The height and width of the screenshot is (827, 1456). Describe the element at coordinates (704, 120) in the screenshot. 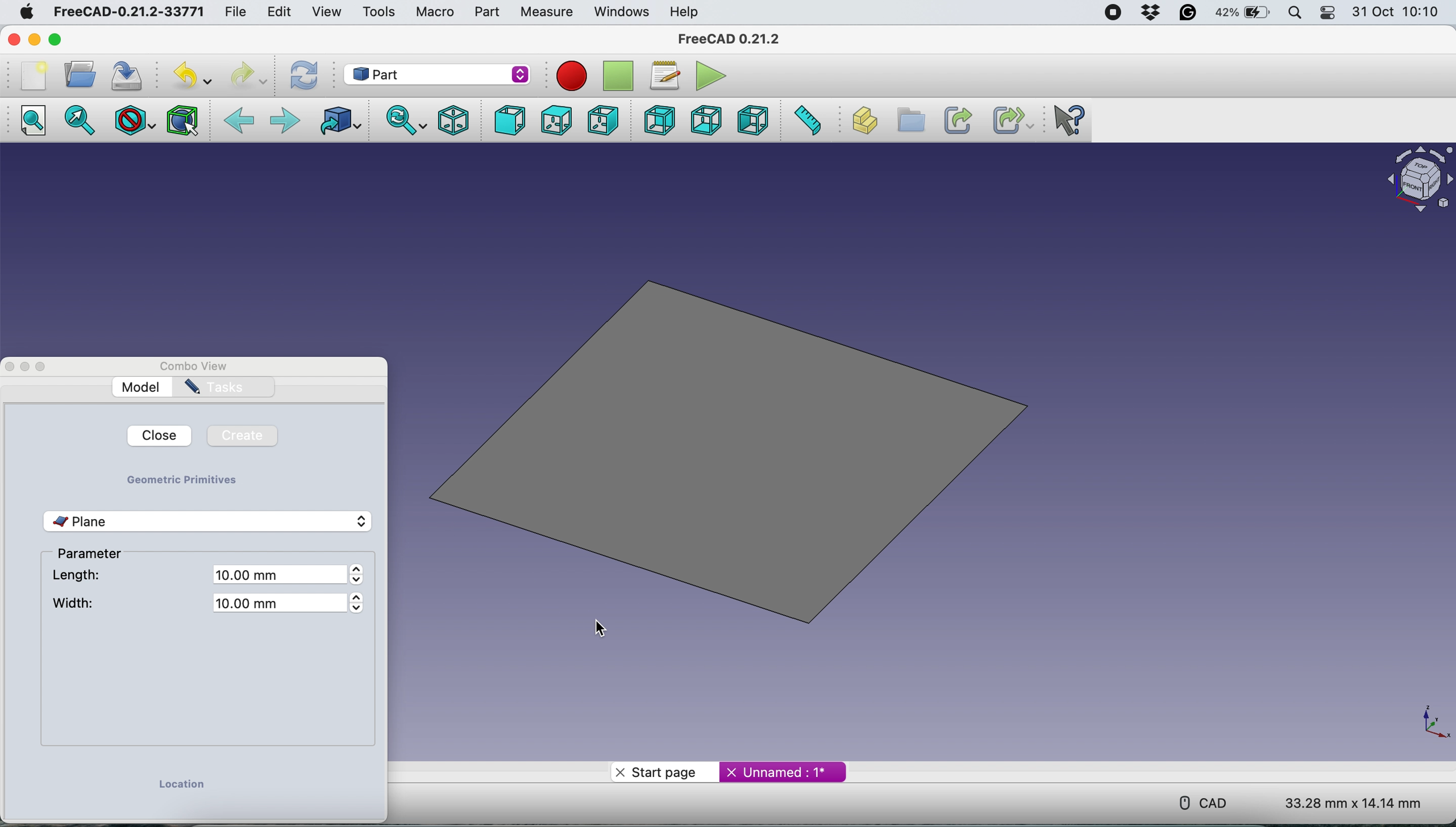

I see `Bottom` at that location.